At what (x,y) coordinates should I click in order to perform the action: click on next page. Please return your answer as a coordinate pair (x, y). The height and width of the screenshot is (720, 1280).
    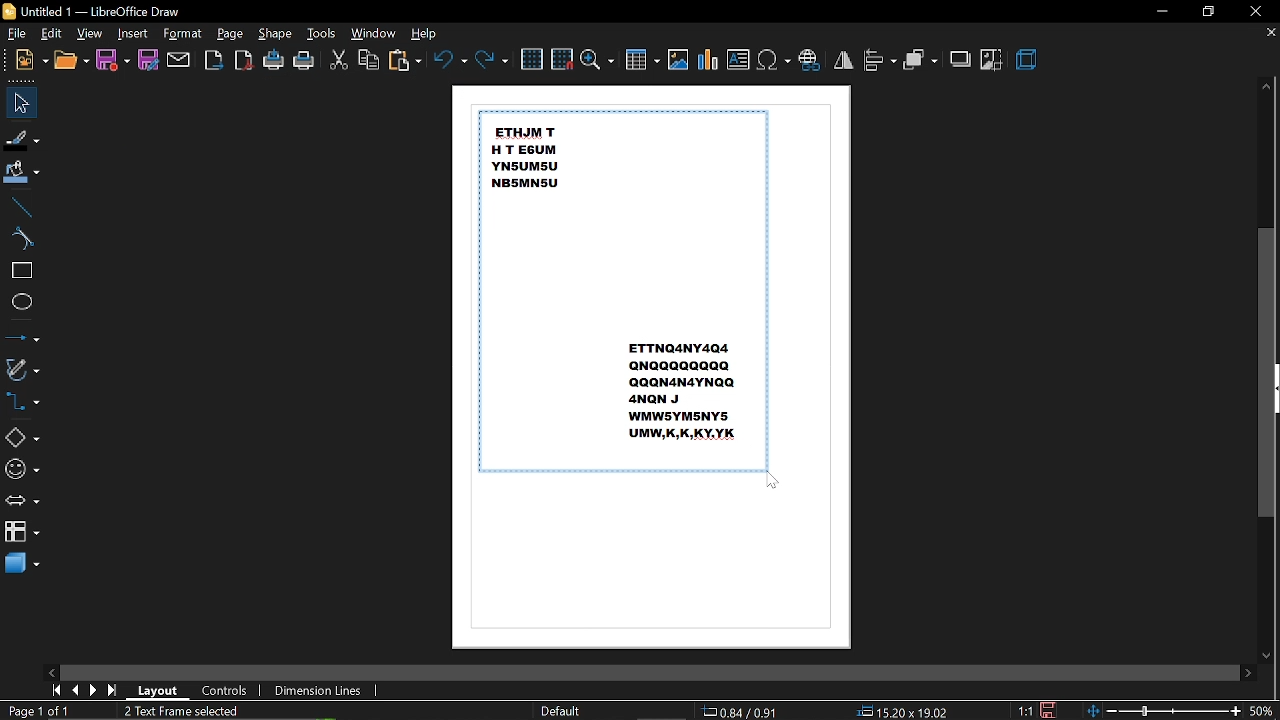
    Looking at the image, I should click on (96, 690).